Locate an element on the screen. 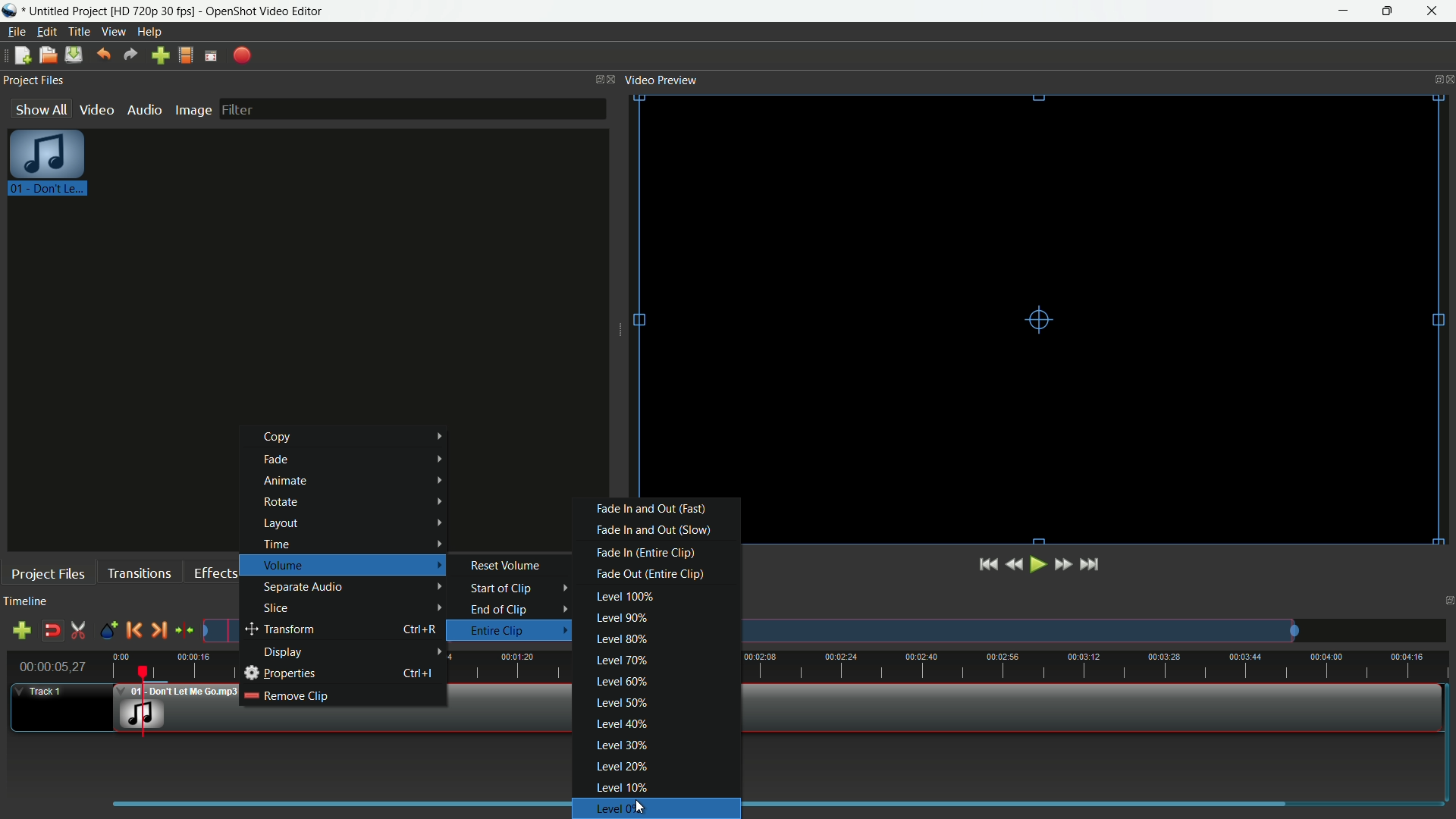 The width and height of the screenshot is (1456, 819). track preview is located at coordinates (1019, 630).